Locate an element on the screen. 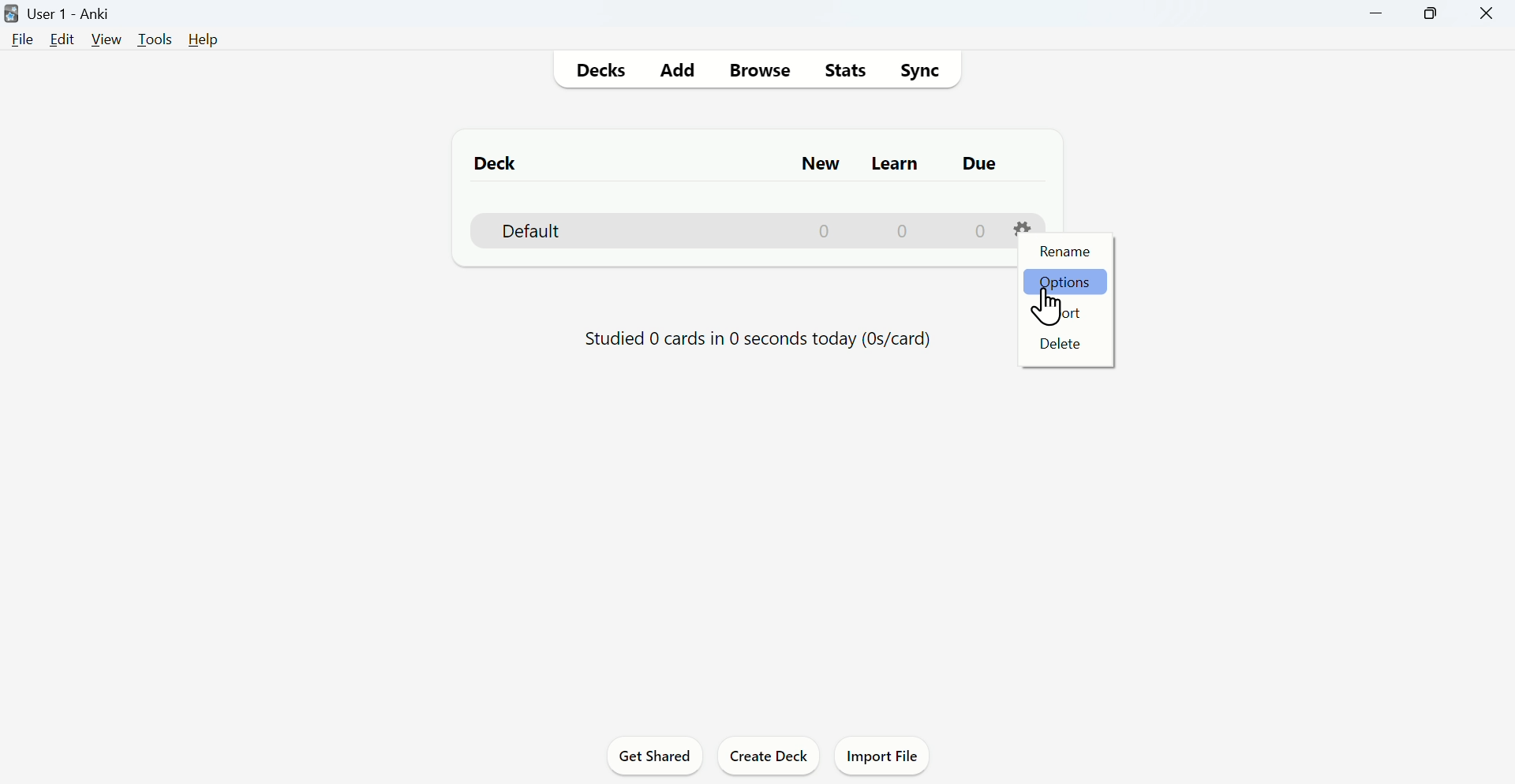 The height and width of the screenshot is (784, 1515). Stats is located at coordinates (844, 70).